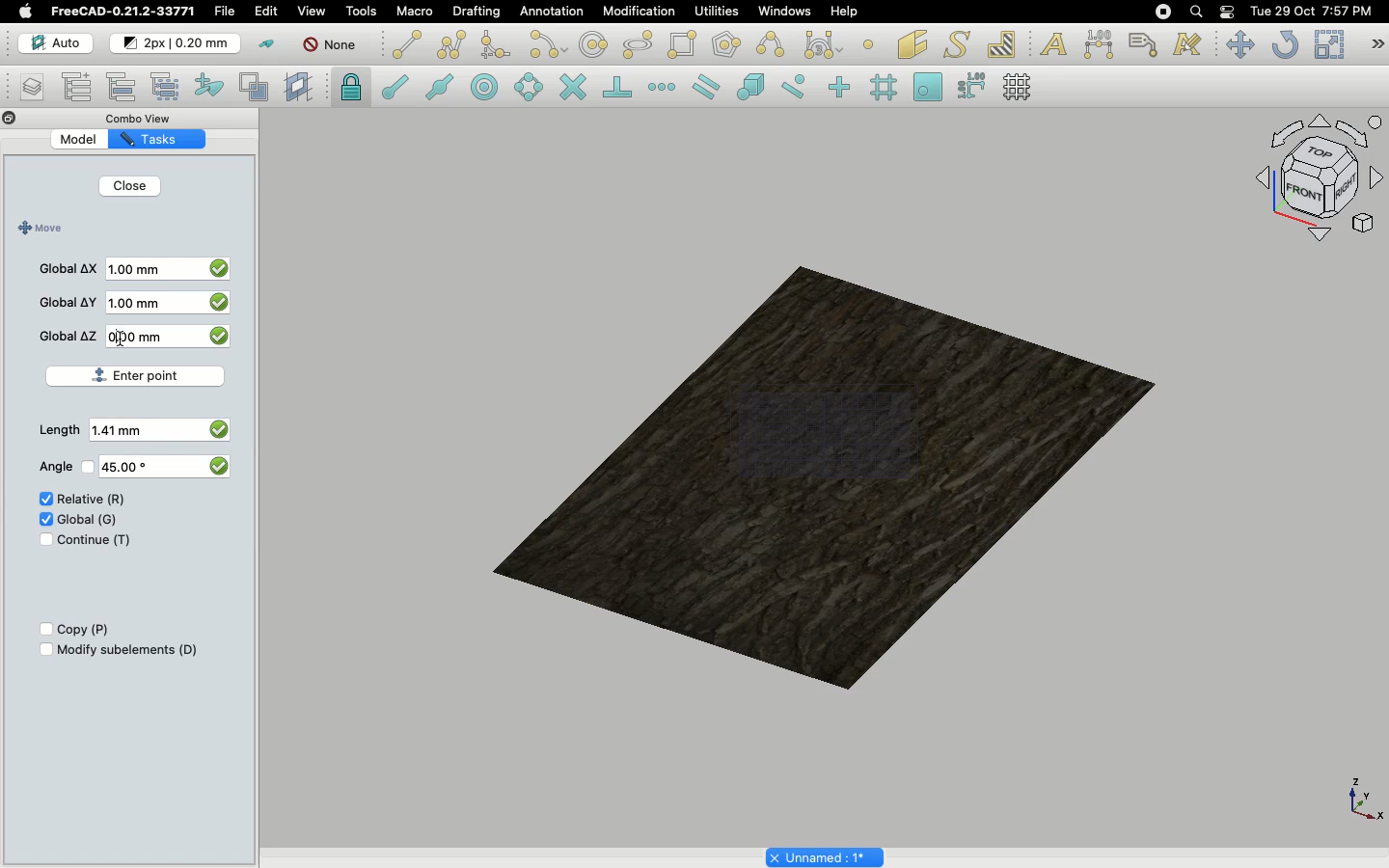 This screenshot has height=868, width=1389. I want to click on Hatch, so click(1002, 44).